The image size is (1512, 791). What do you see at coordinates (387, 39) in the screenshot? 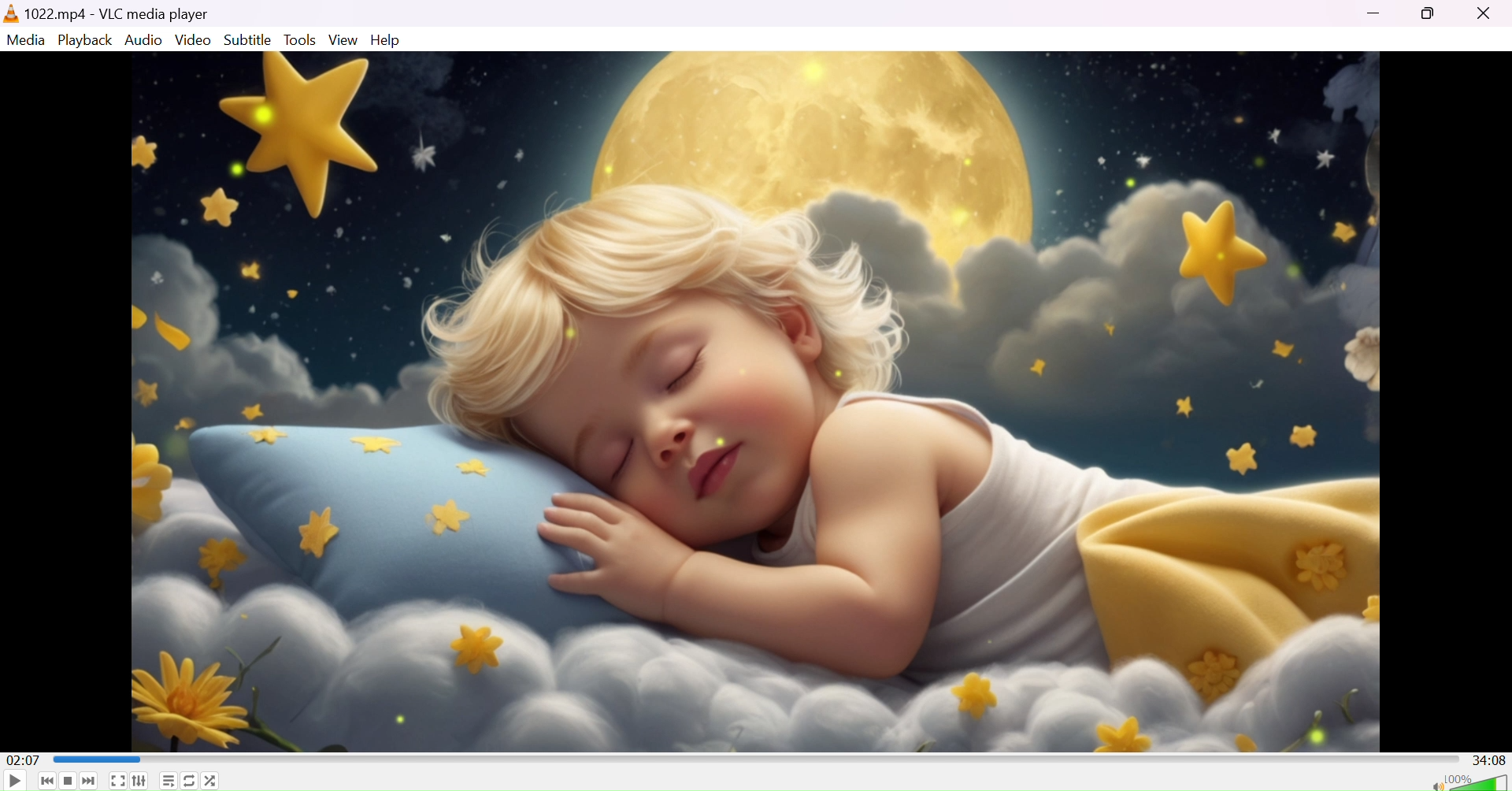
I see `Help` at bounding box center [387, 39].